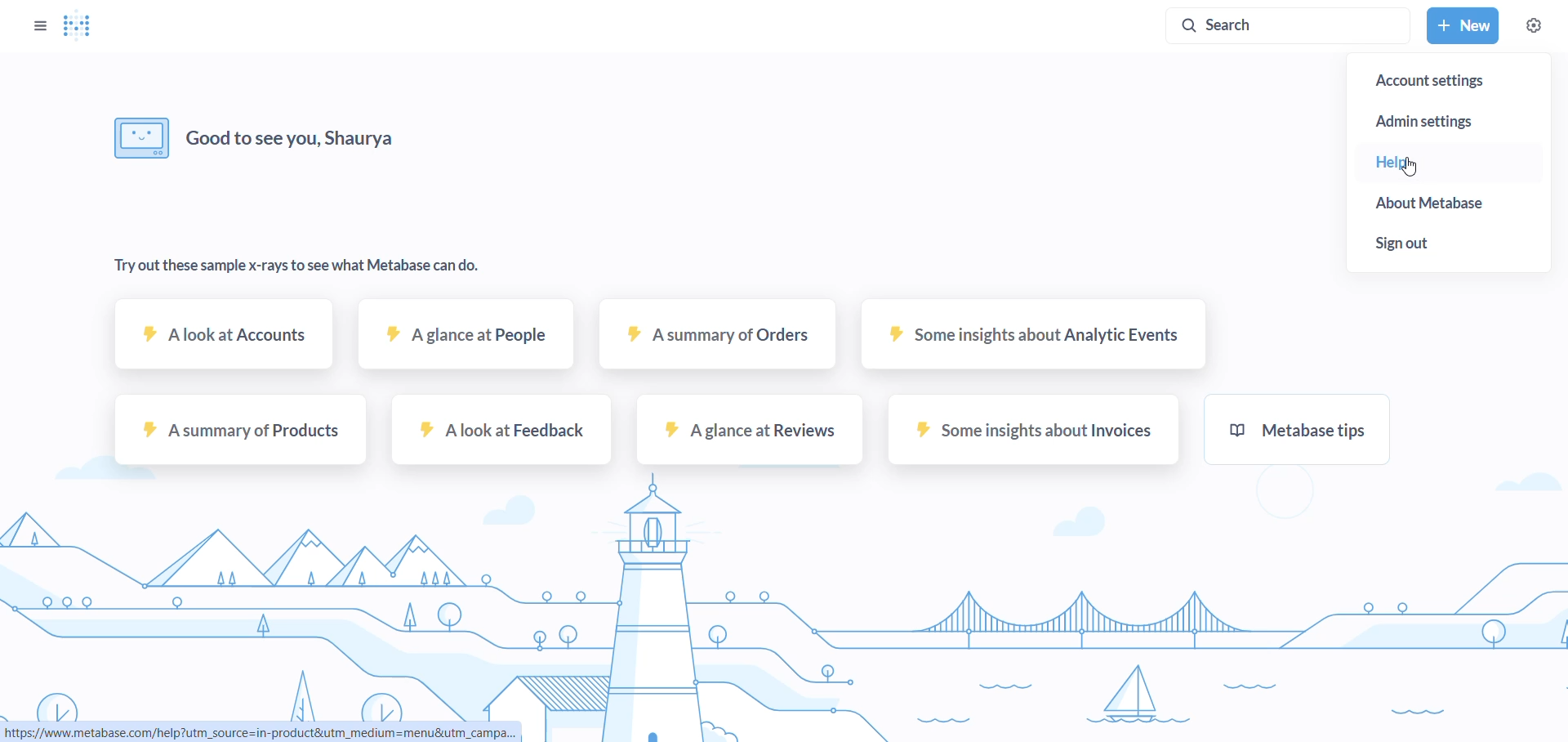 The width and height of the screenshot is (1568, 742). I want to click on new , so click(1463, 25).